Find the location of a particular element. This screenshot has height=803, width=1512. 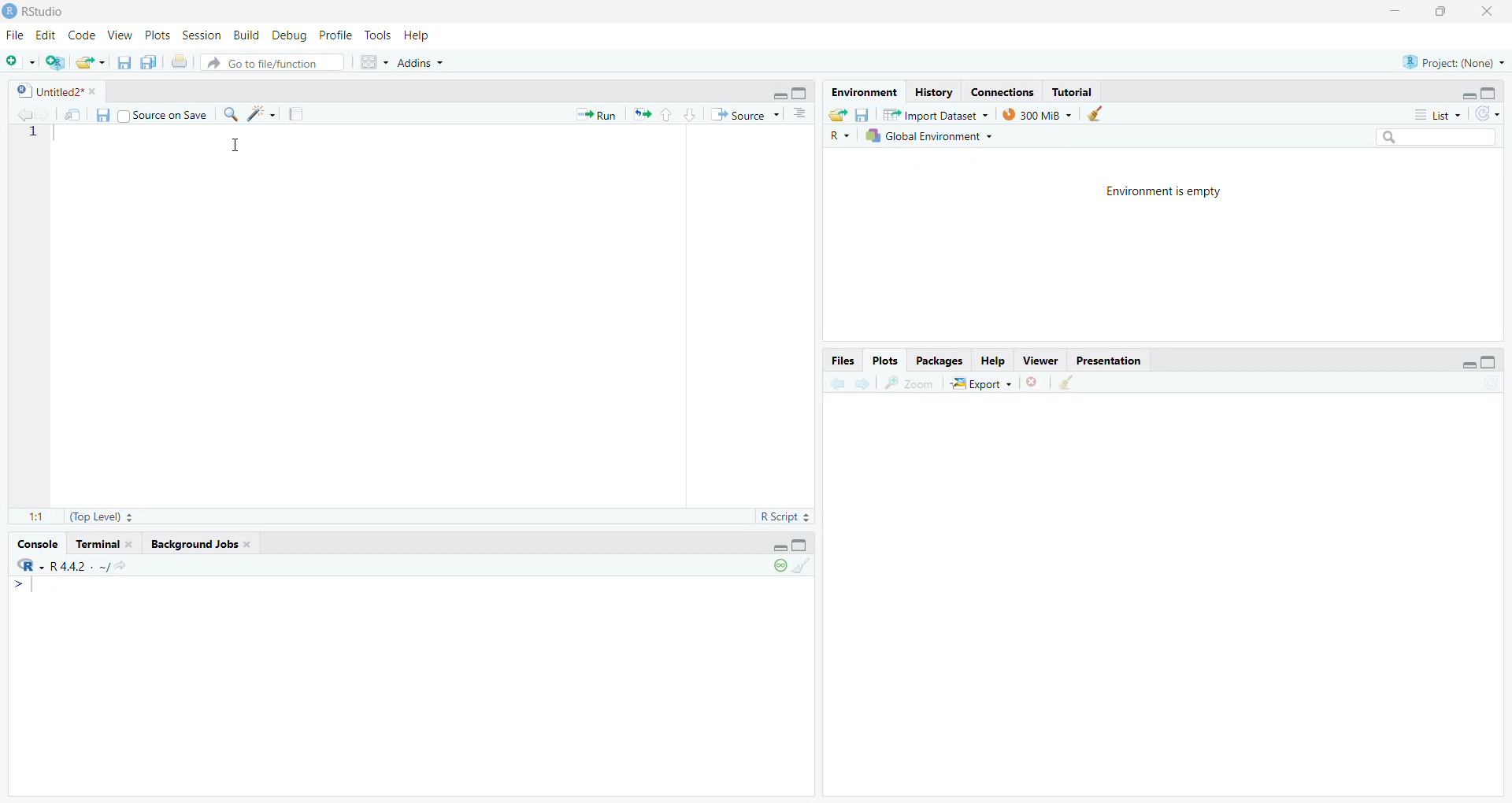

Session is located at coordinates (202, 35).